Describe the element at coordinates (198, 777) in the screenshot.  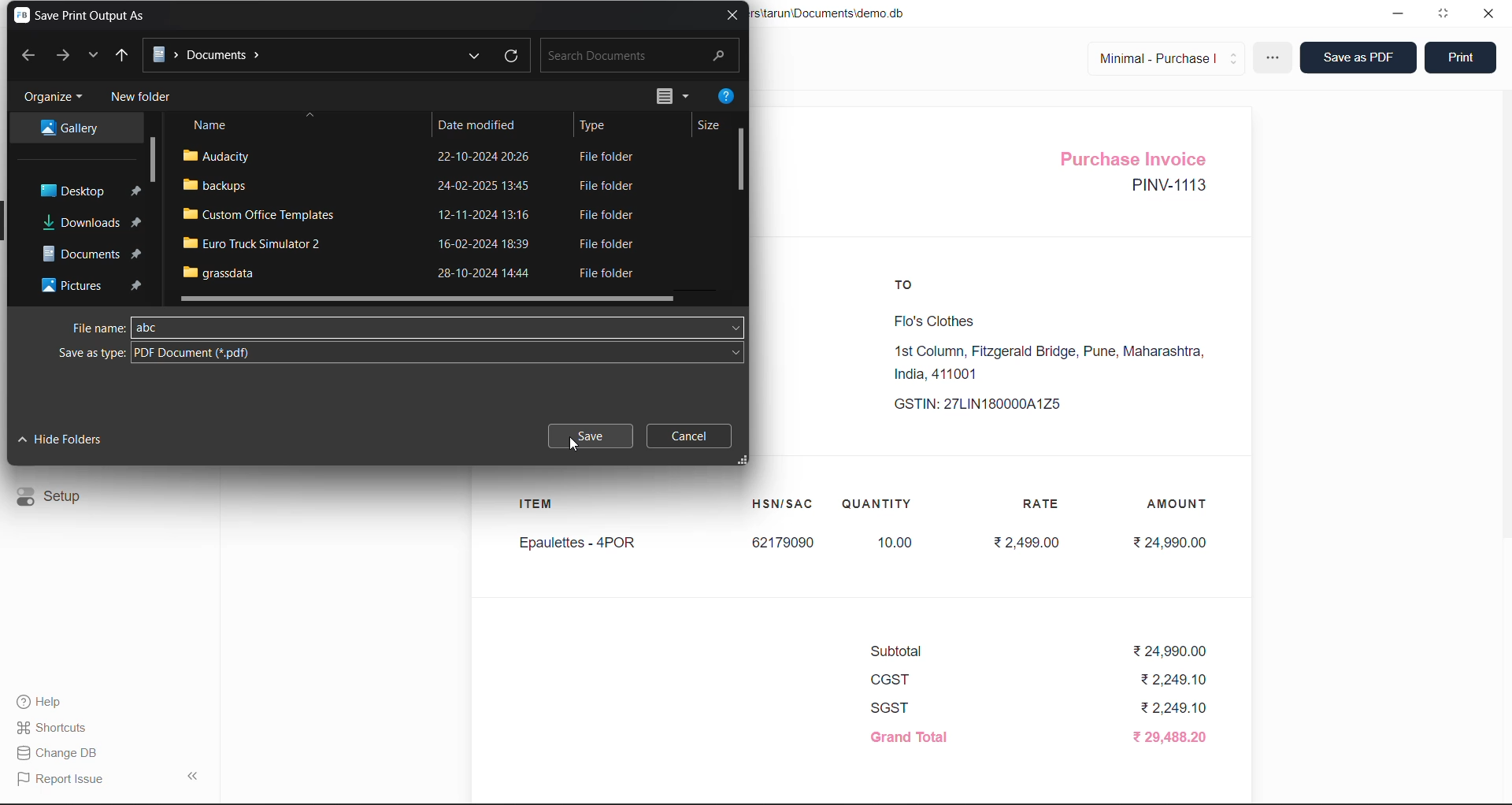
I see `collapse` at that location.